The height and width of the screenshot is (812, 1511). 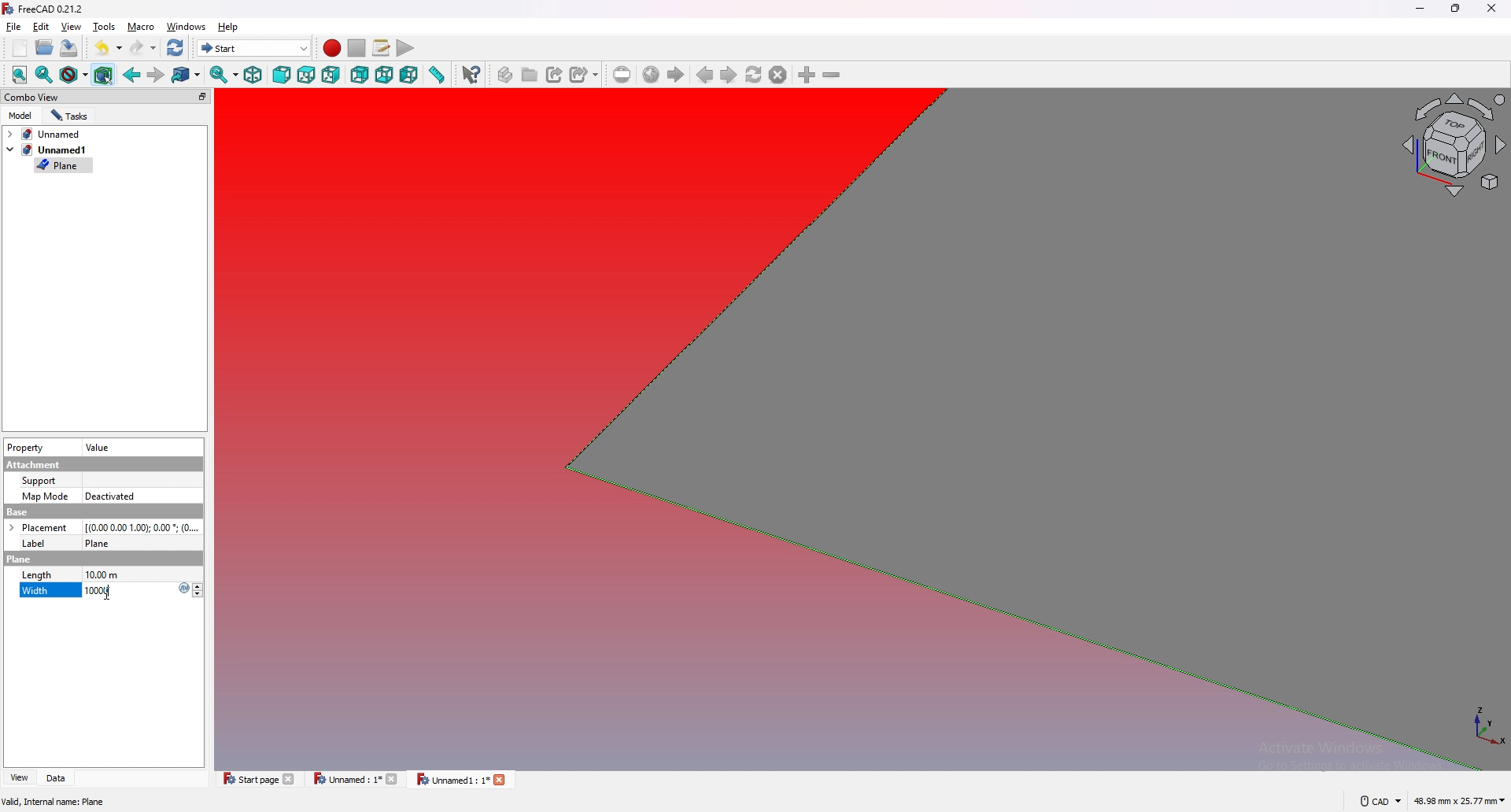 I want to click on fit all, so click(x=20, y=75).